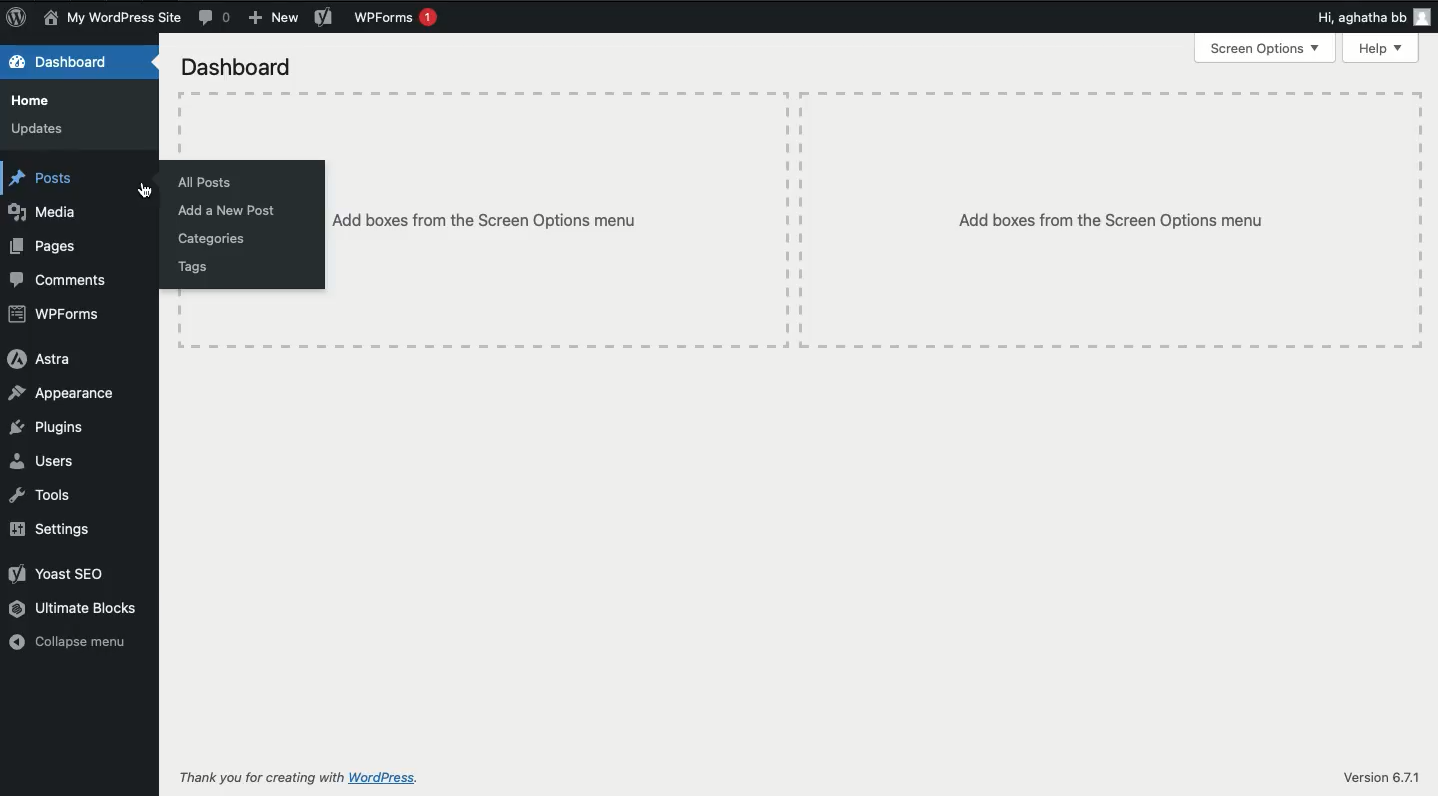 Image resolution: width=1438 pixels, height=796 pixels. Describe the element at coordinates (62, 280) in the screenshot. I see `Comments` at that location.